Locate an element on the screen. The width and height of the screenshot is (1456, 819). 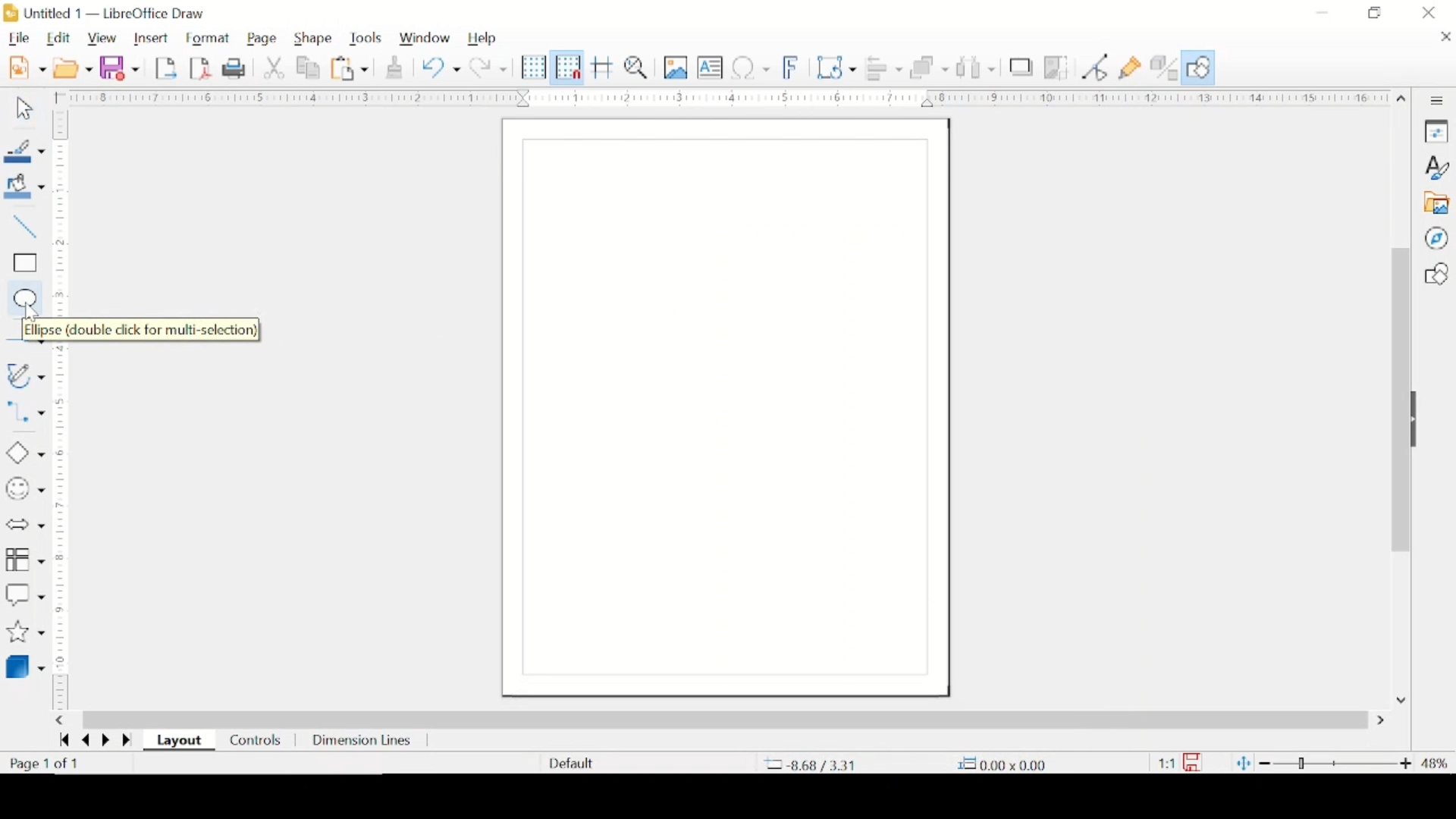
scroll box is located at coordinates (1398, 400).